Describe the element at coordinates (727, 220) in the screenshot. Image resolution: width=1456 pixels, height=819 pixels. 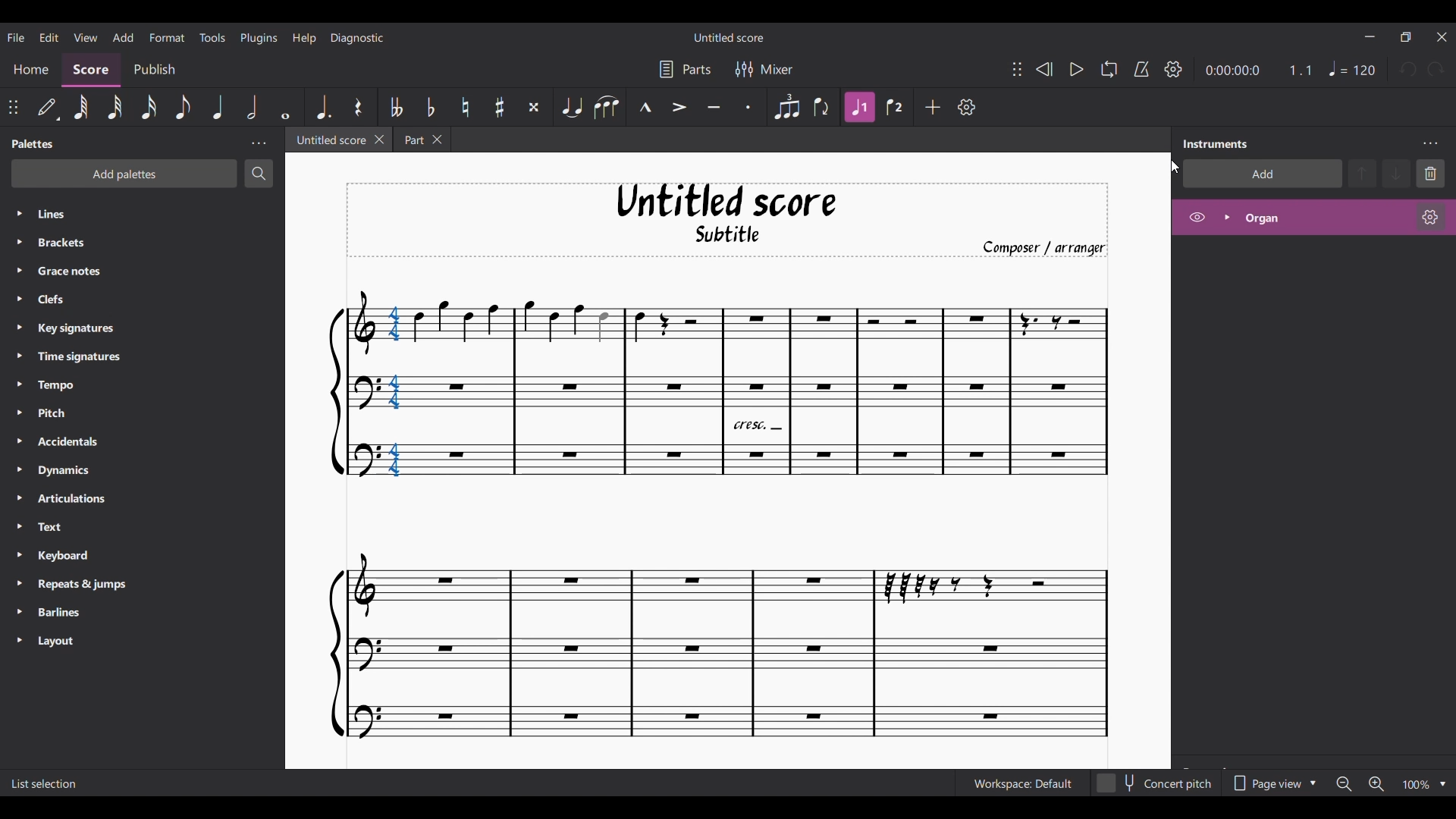
I see `Title, sub-title, and composer name of current score` at that location.